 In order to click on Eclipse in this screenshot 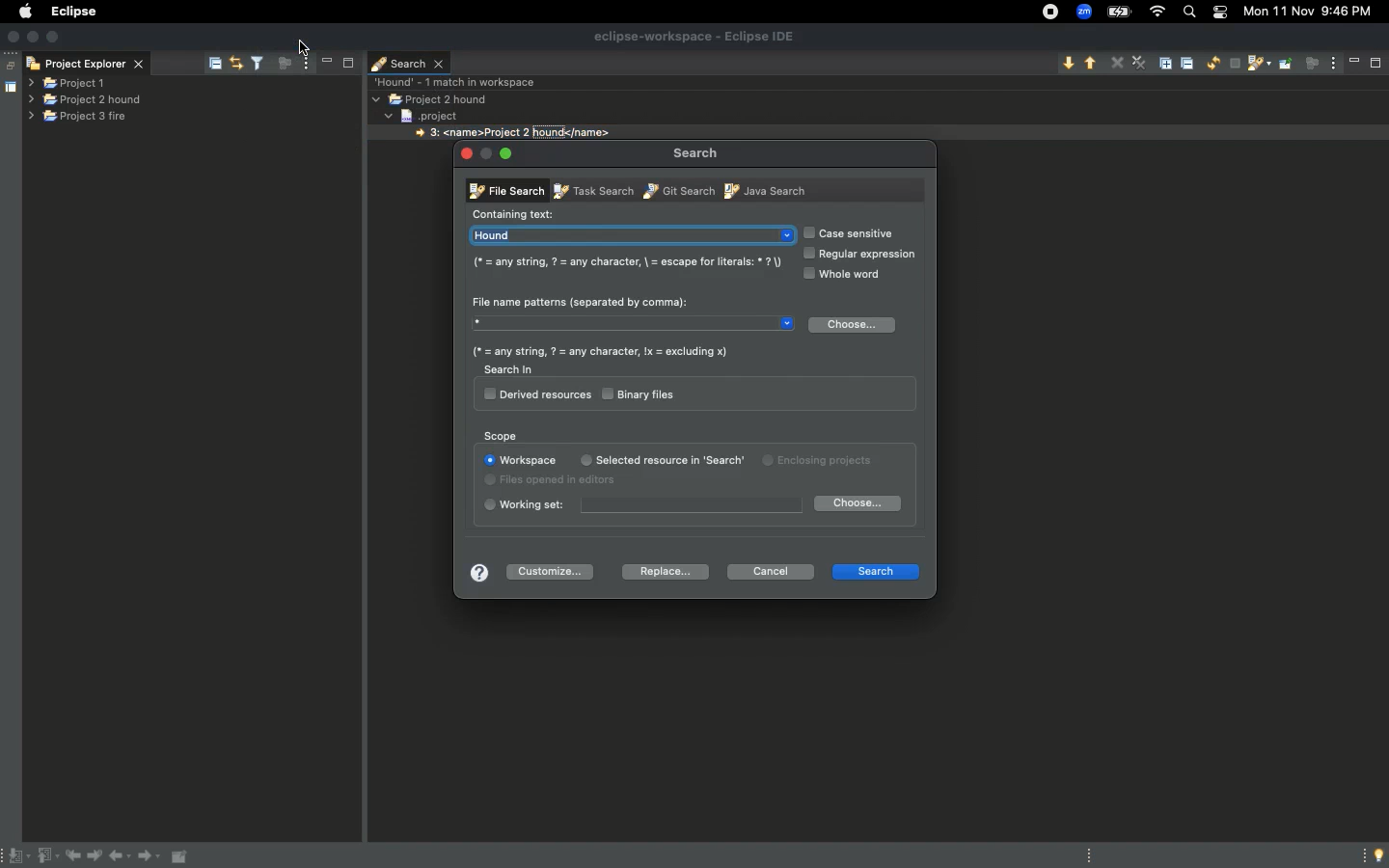, I will do `click(72, 11)`.